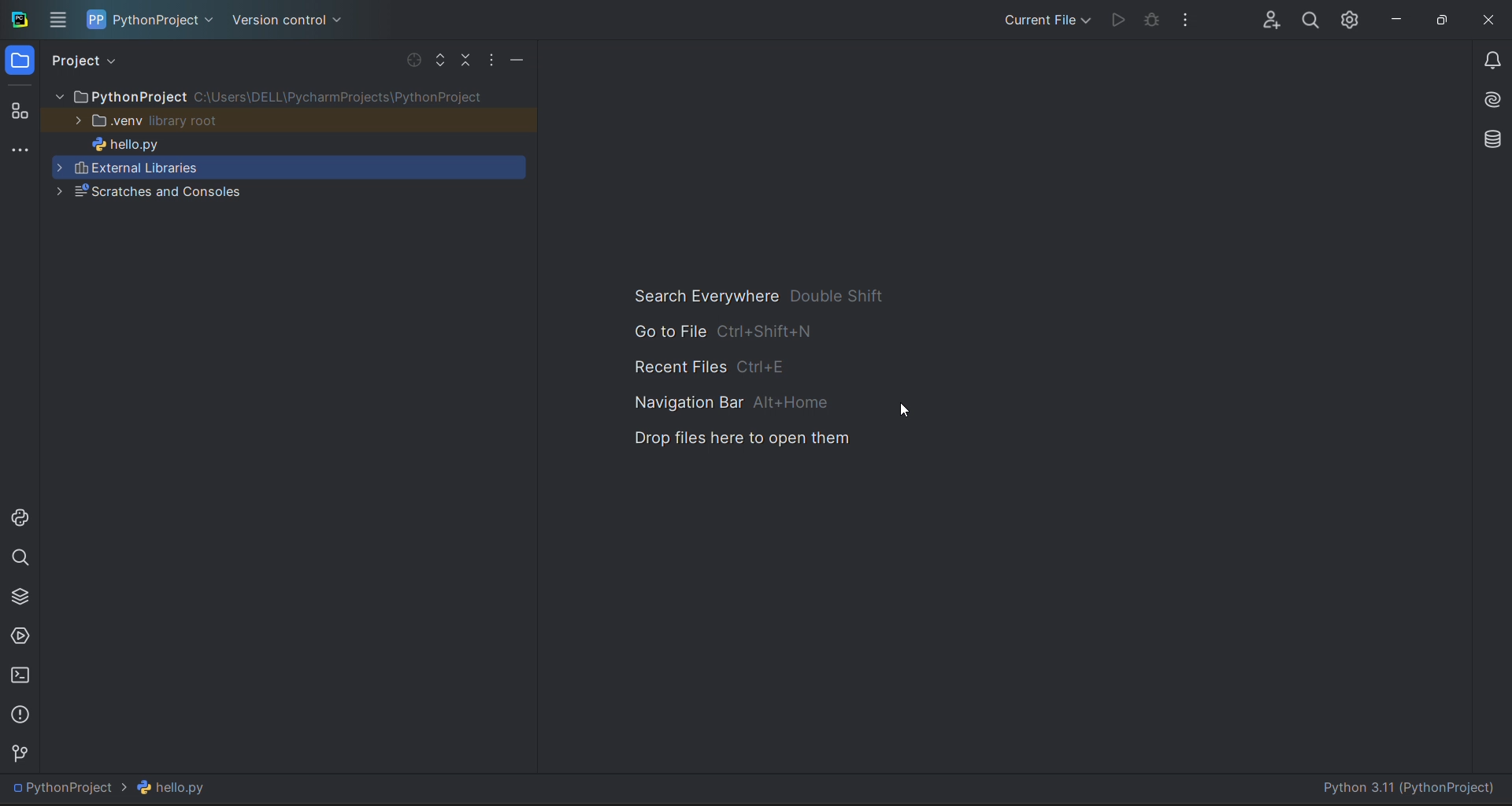 Image resolution: width=1512 pixels, height=806 pixels. What do you see at coordinates (465, 60) in the screenshot?
I see `collapse file` at bounding box center [465, 60].